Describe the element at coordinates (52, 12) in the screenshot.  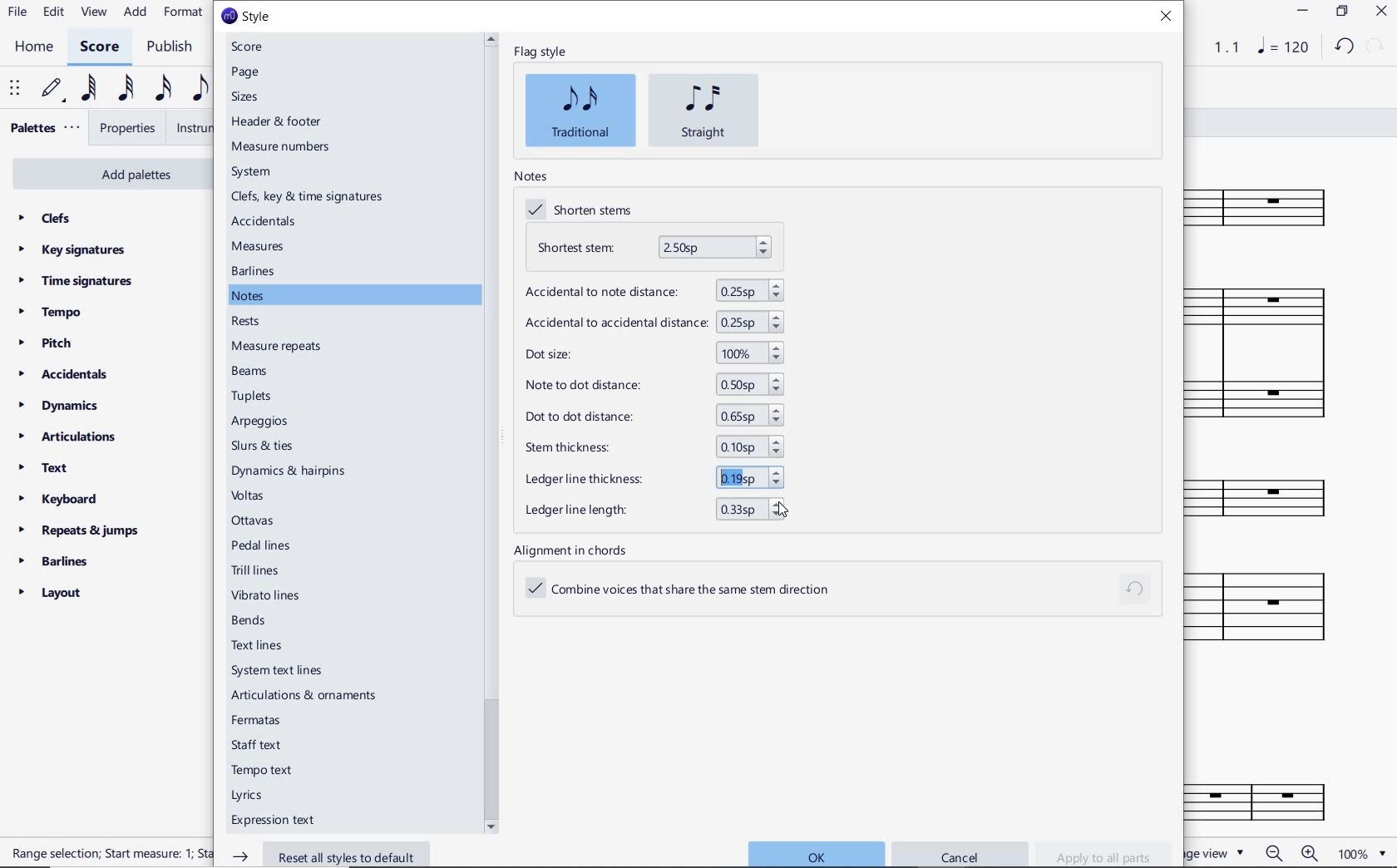
I see `edit` at that location.